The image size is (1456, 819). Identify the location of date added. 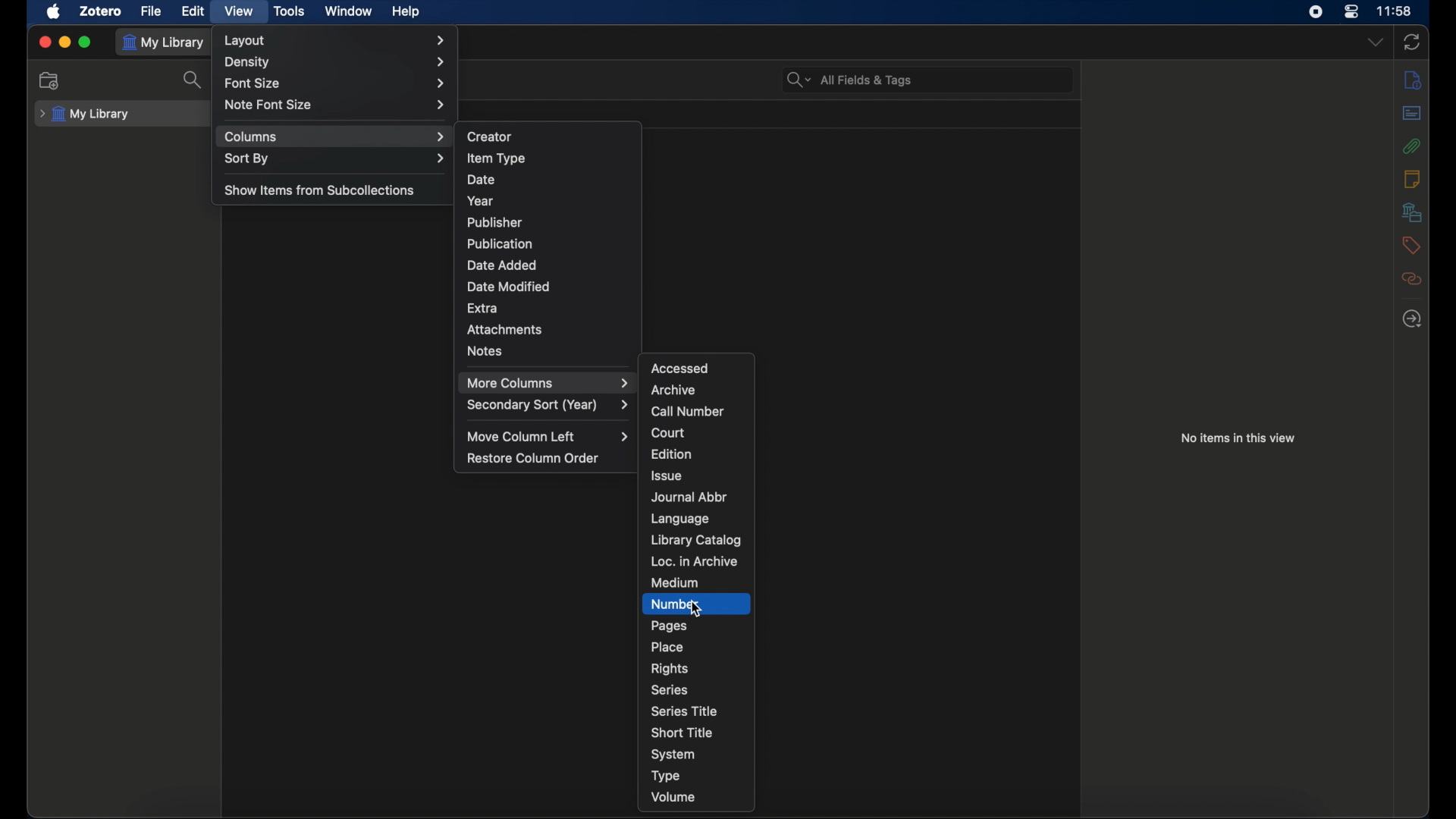
(504, 265).